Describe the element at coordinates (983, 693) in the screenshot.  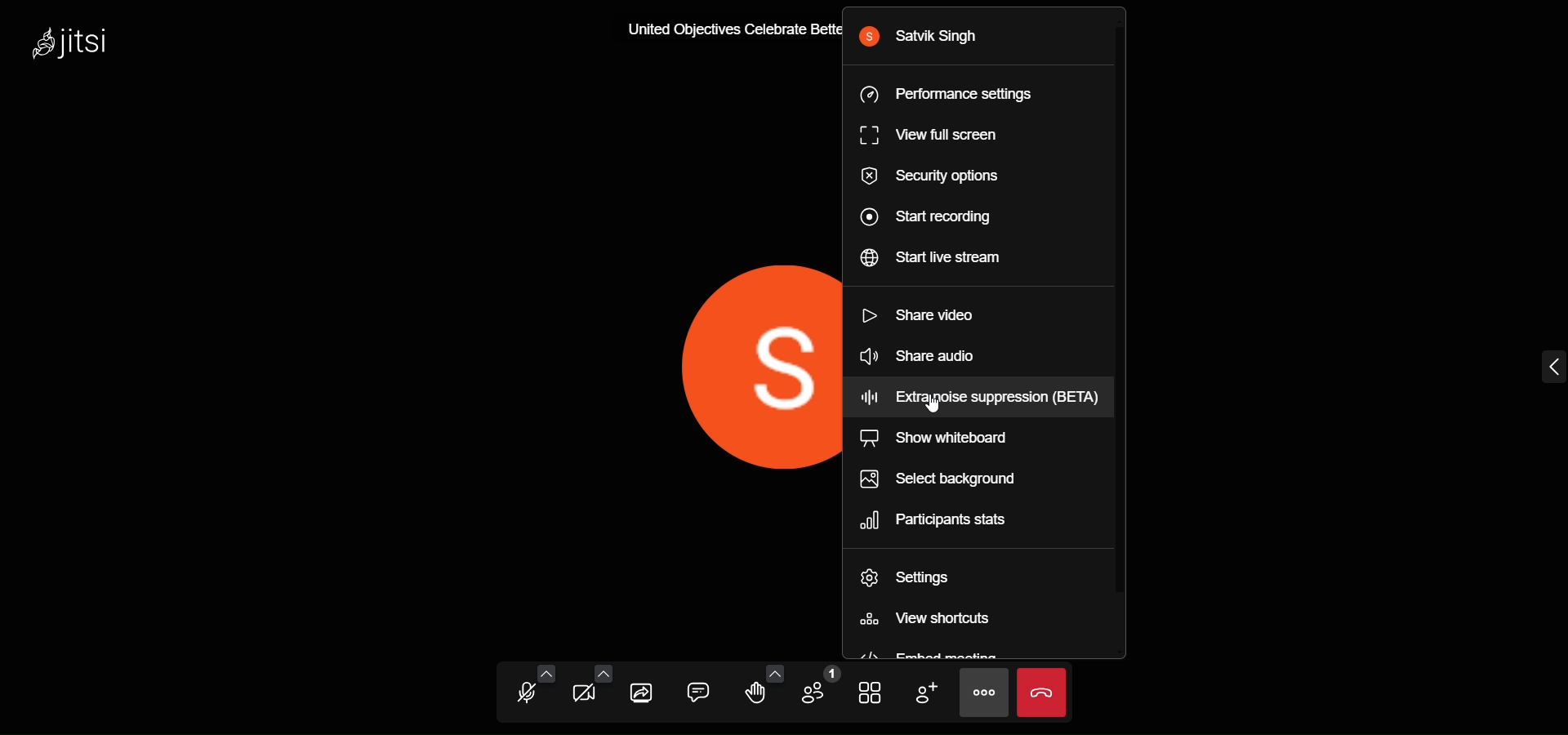
I see `more` at that location.